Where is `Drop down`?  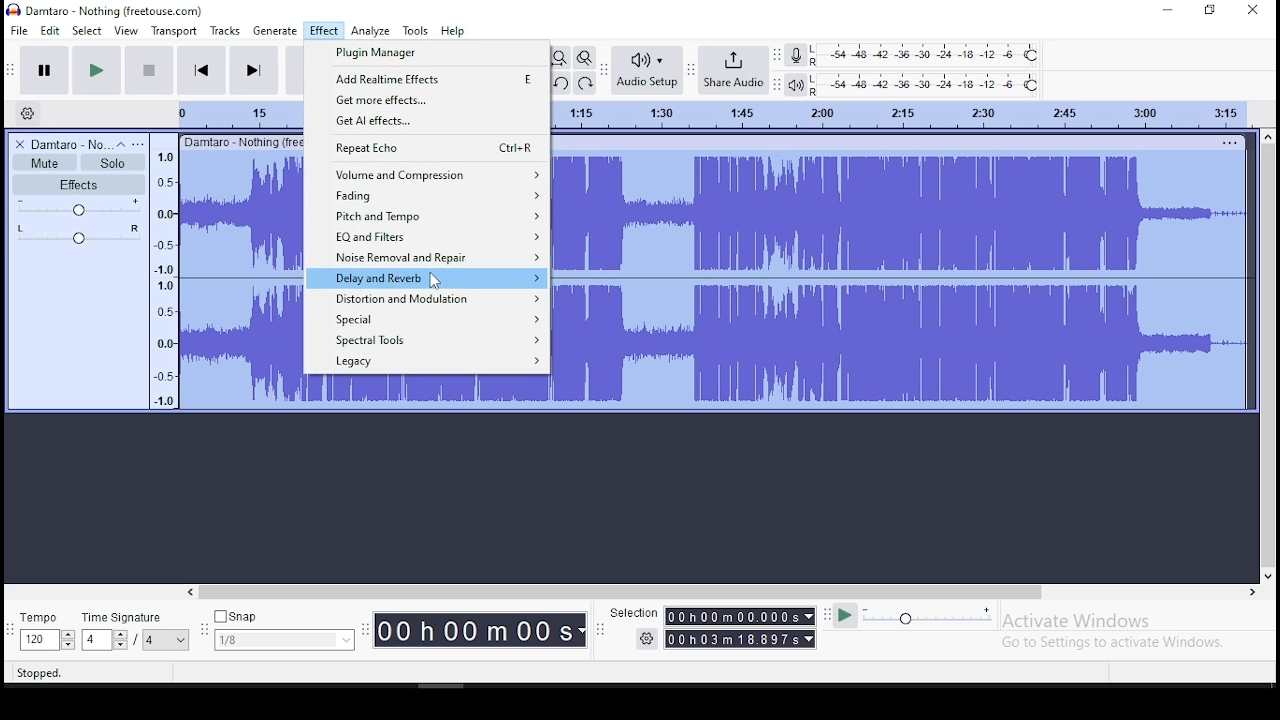 Drop down is located at coordinates (809, 639).